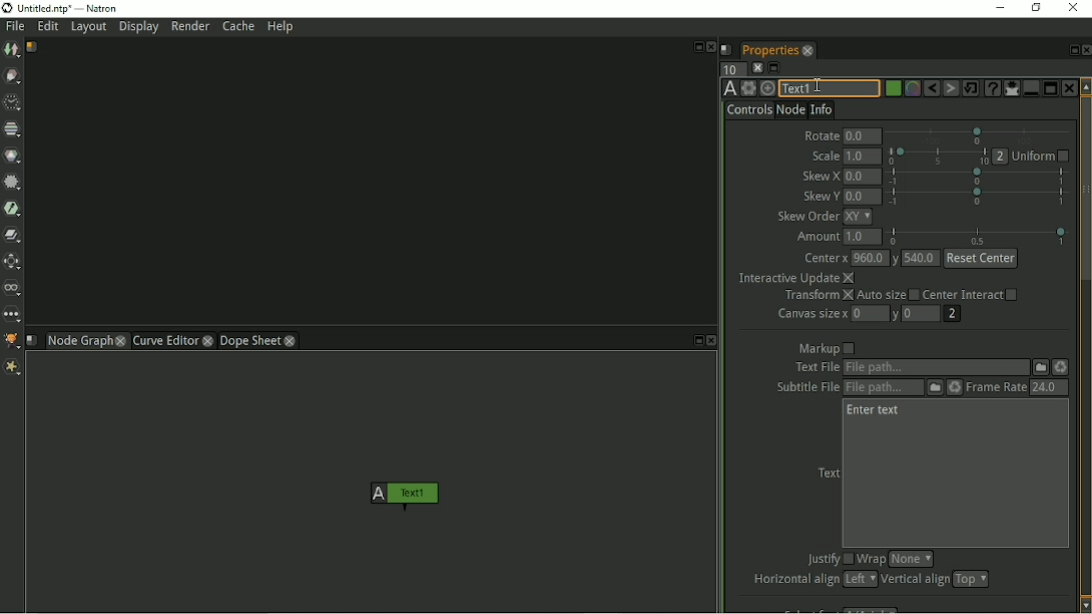  What do you see at coordinates (1062, 367) in the screenshot?
I see `Reload the file` at bounding box center [1062, 367].